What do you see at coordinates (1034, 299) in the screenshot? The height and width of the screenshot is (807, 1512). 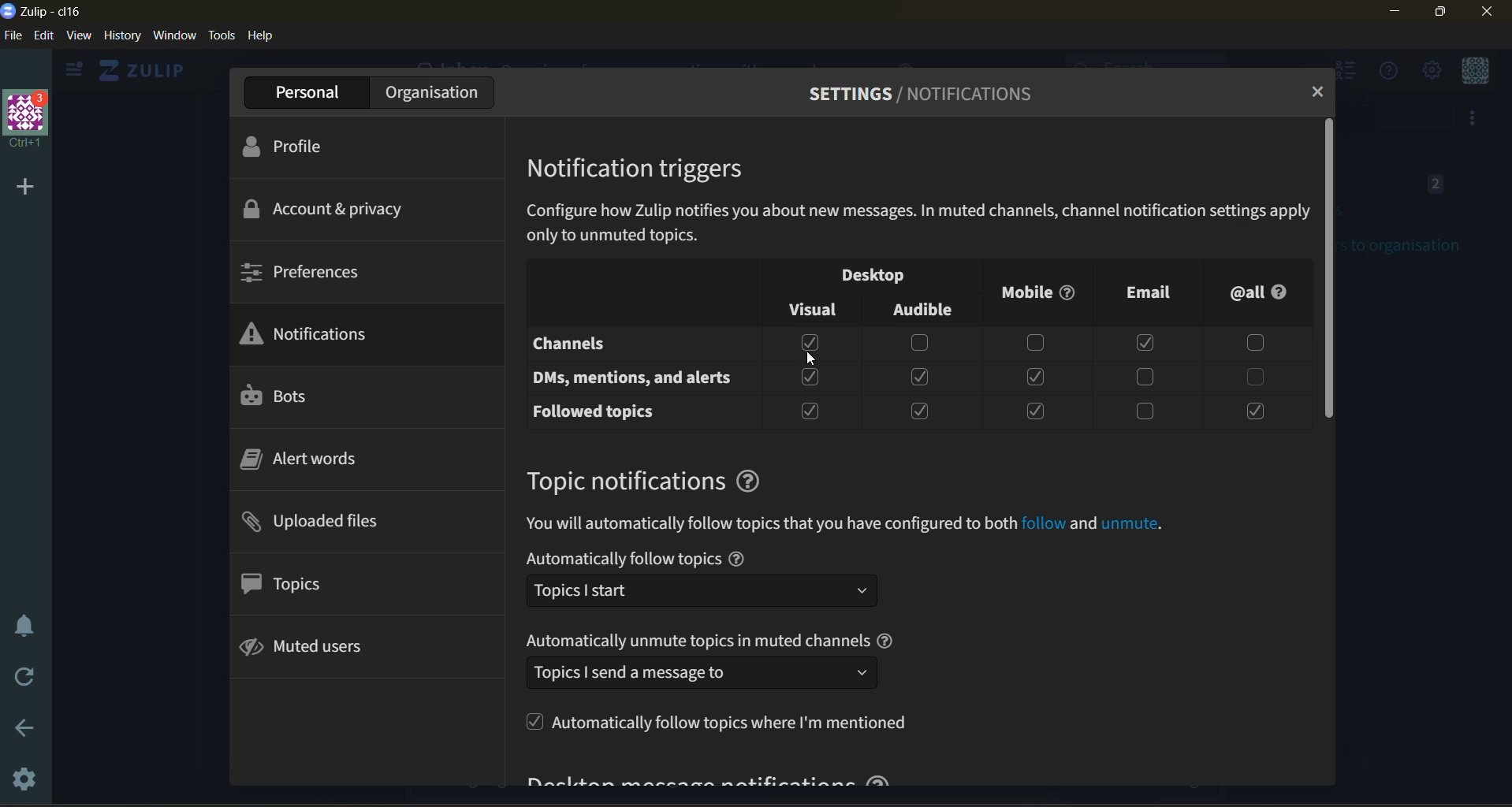 I see `mobile` at bounding box center [1034, 299].